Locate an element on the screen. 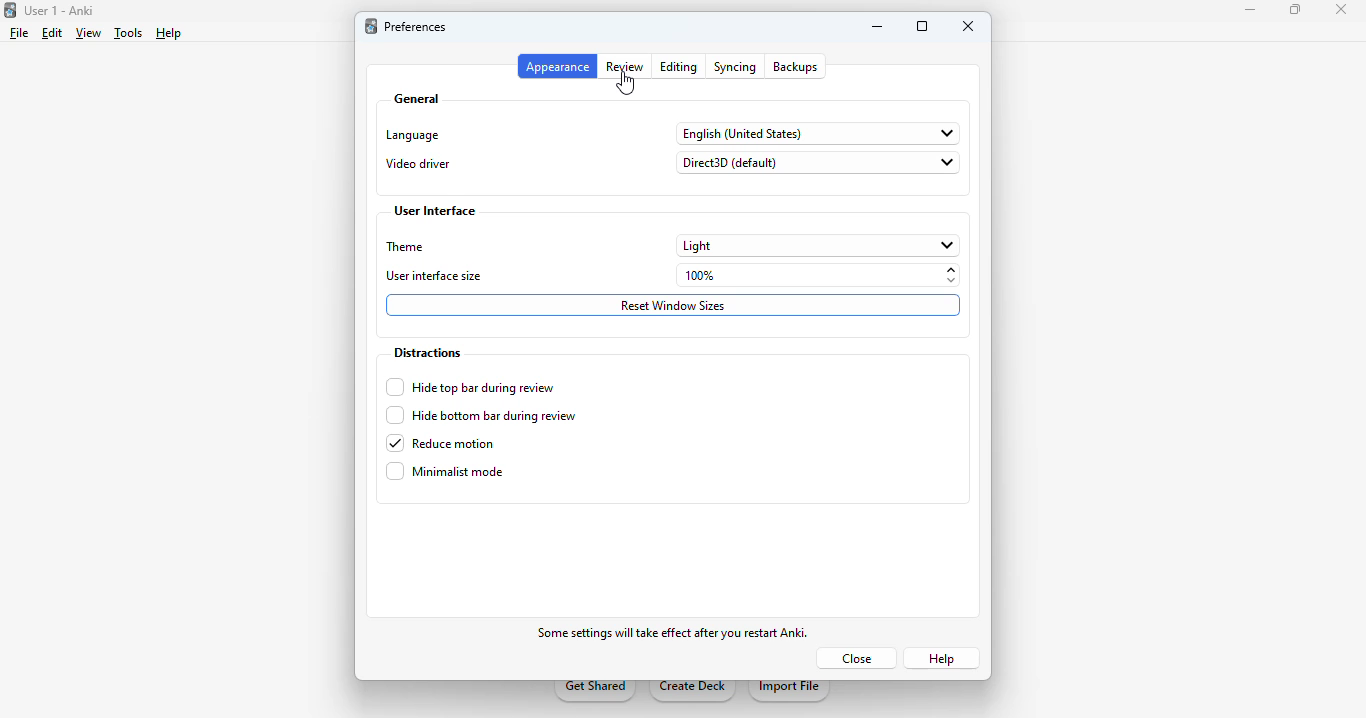 Image resolution: width=1366 pixels, height=718 pixels. user interface is located at coordinates (434, 211).